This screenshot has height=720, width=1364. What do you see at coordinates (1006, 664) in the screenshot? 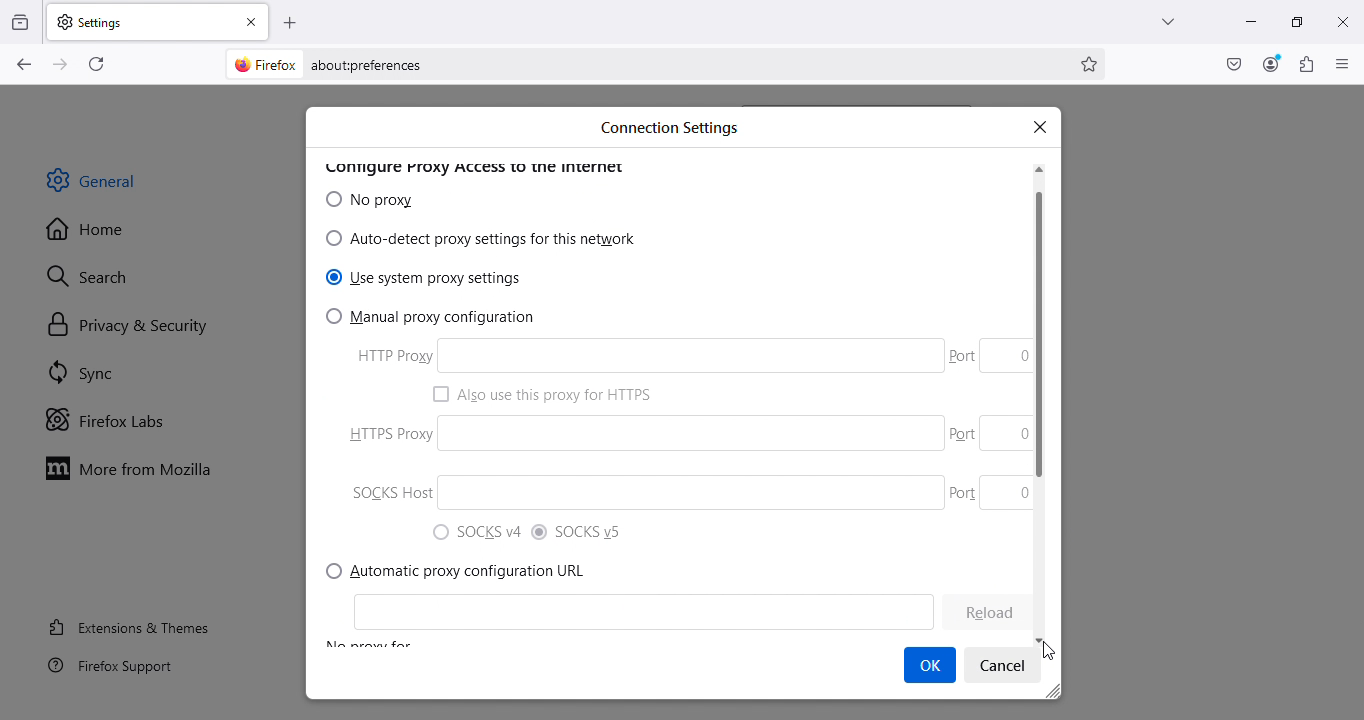
I see `Settings` at bounding box center [1006, 664].